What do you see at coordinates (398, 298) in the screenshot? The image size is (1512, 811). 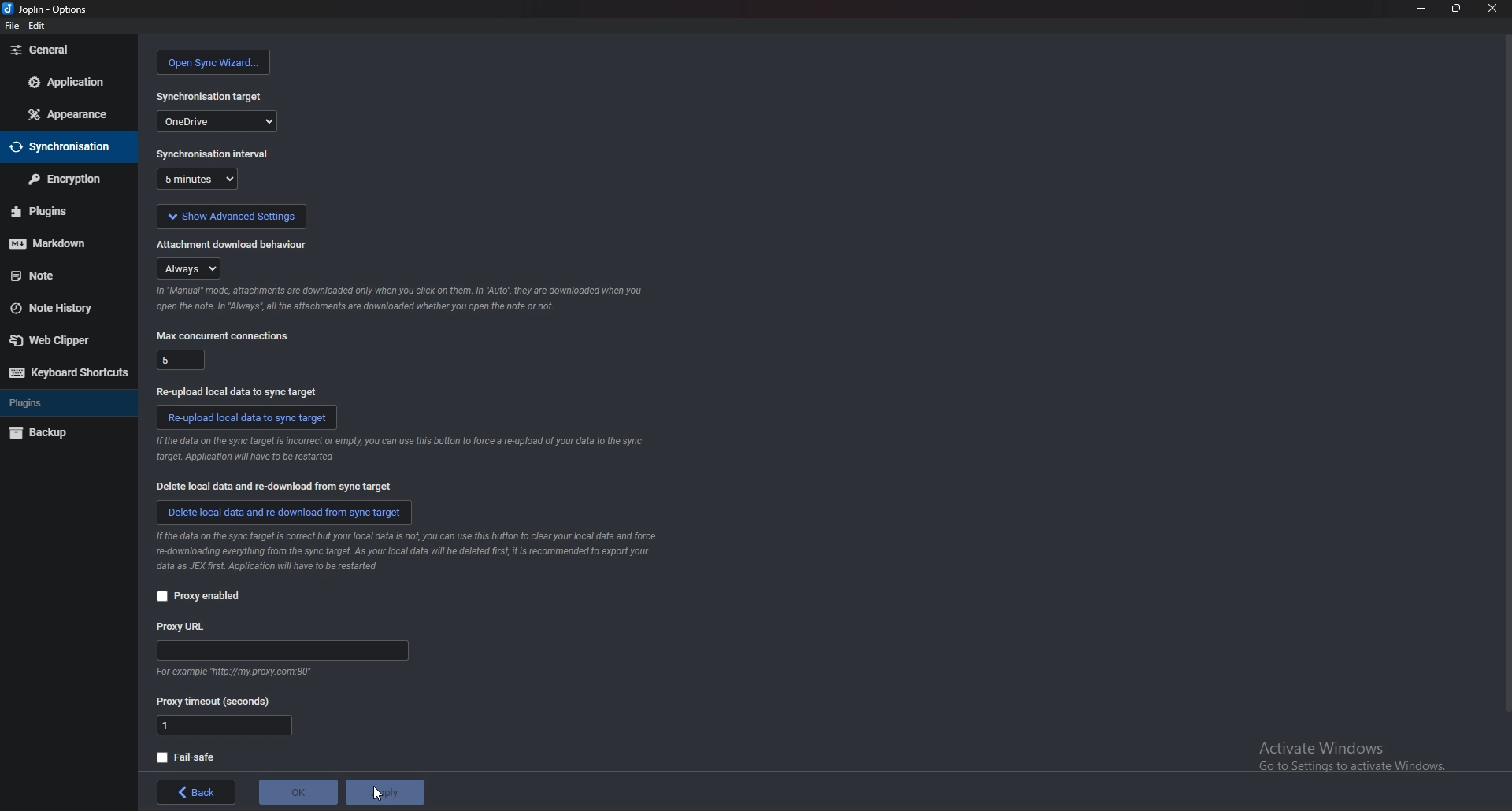 I see `info` at bounding box center [398, 298].